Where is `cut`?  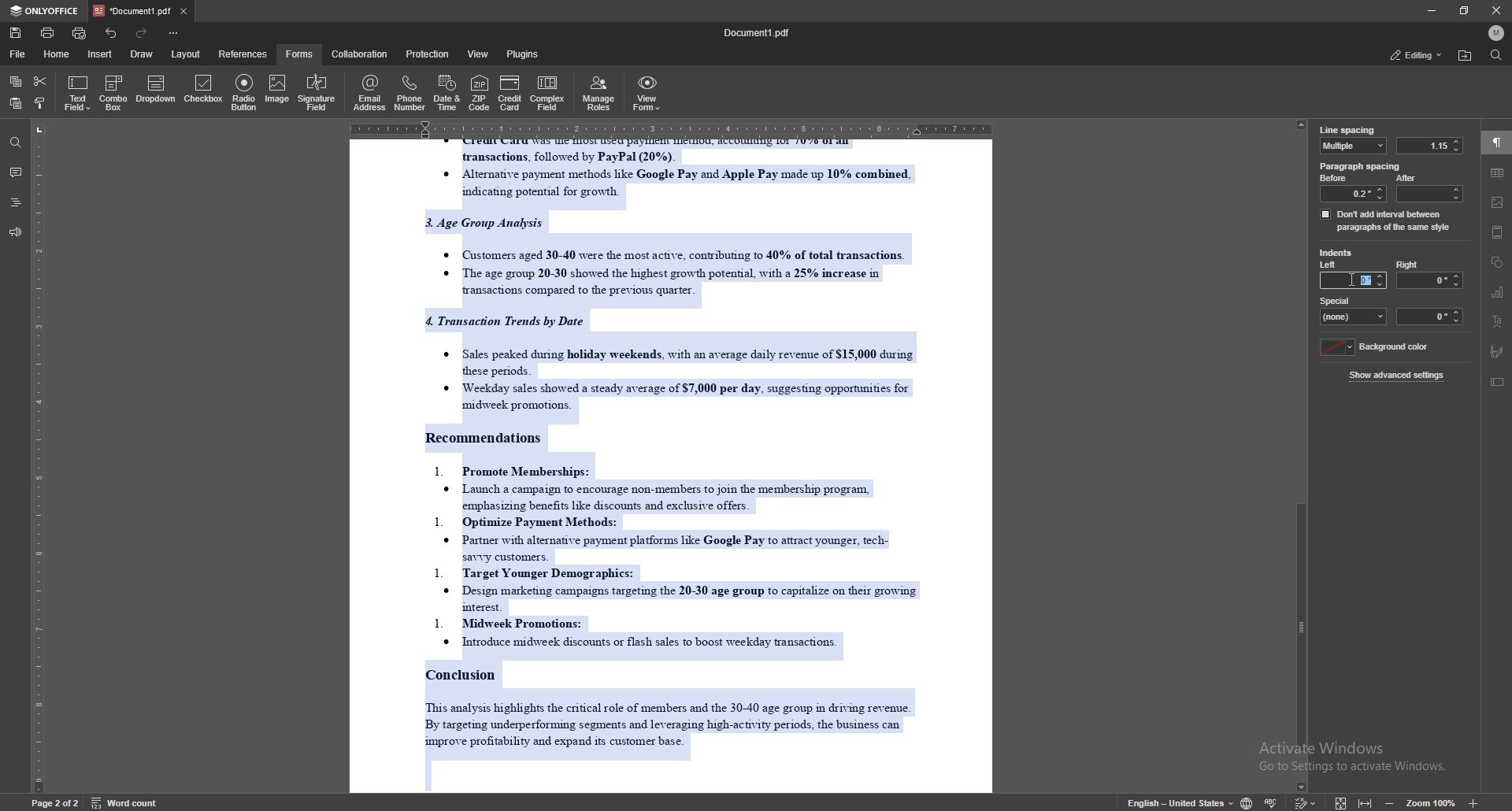
cut is located at coordinates (40, 81).